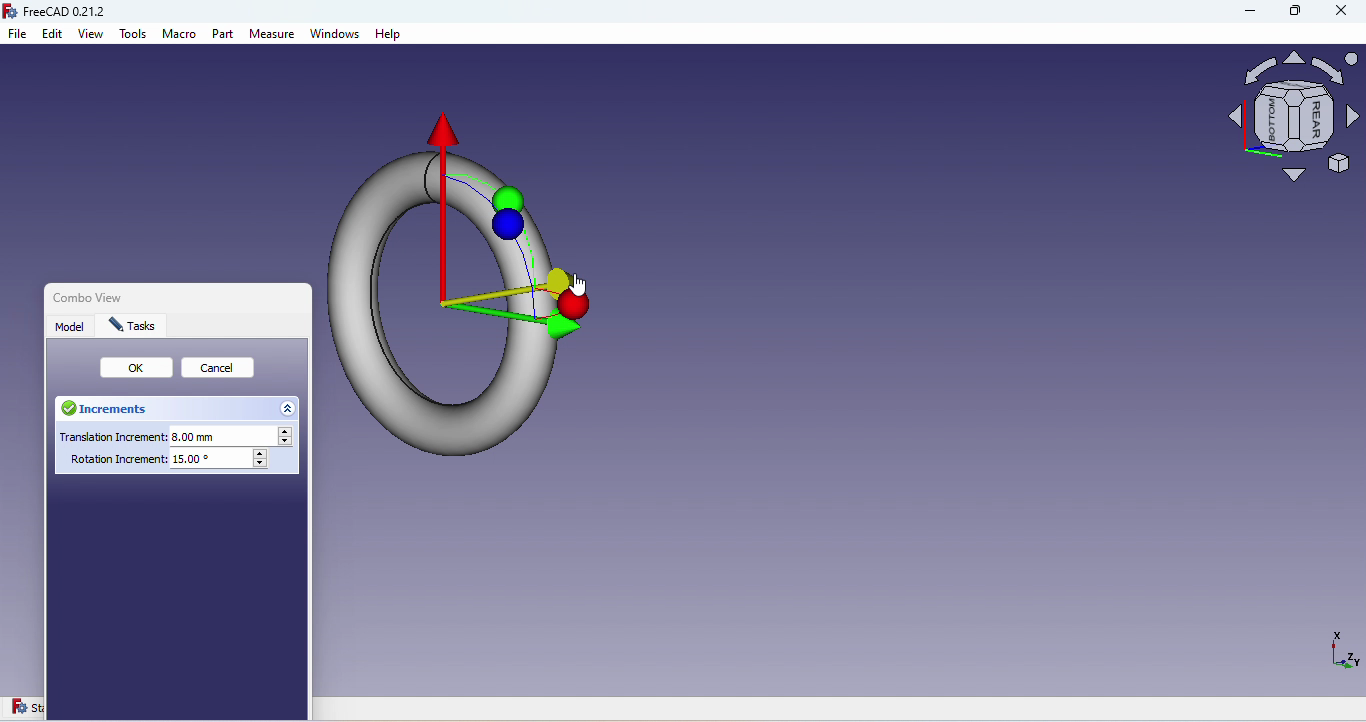  Describe the element at coordinates (83, 296) in the screenshot. I see `Combo view` at that location.